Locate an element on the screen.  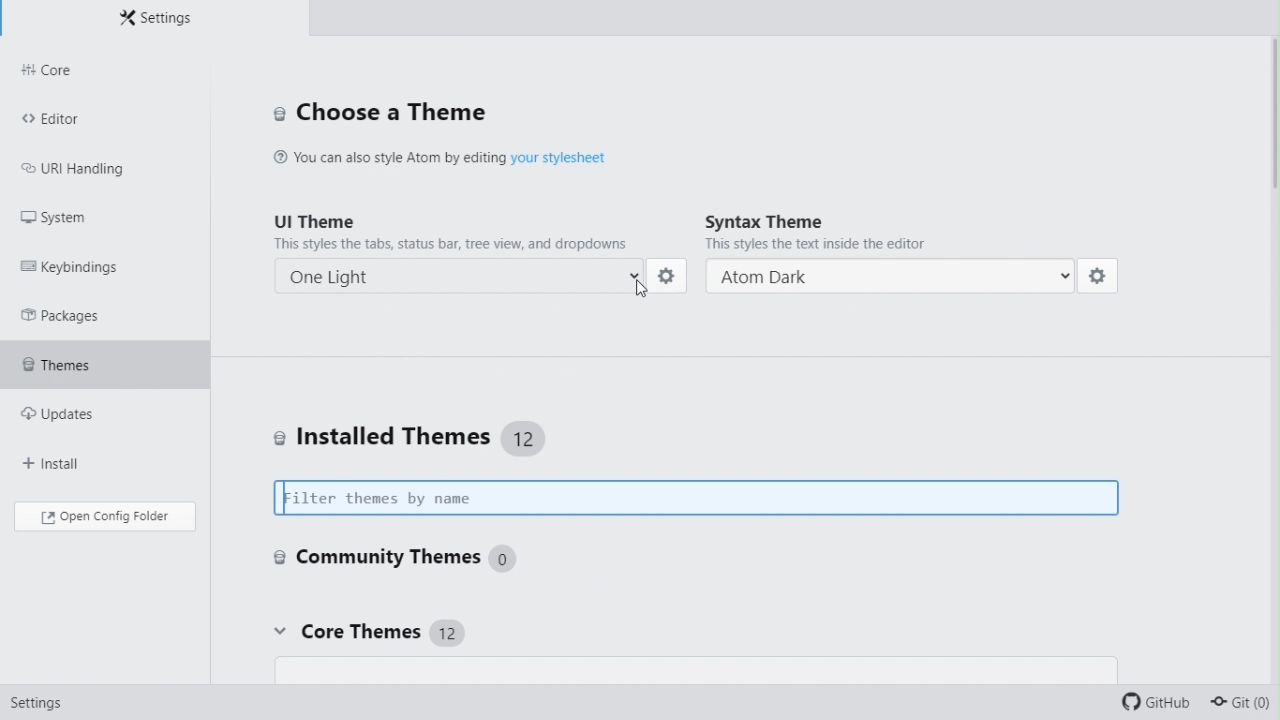
Themes is located at coordinates (82, 368).